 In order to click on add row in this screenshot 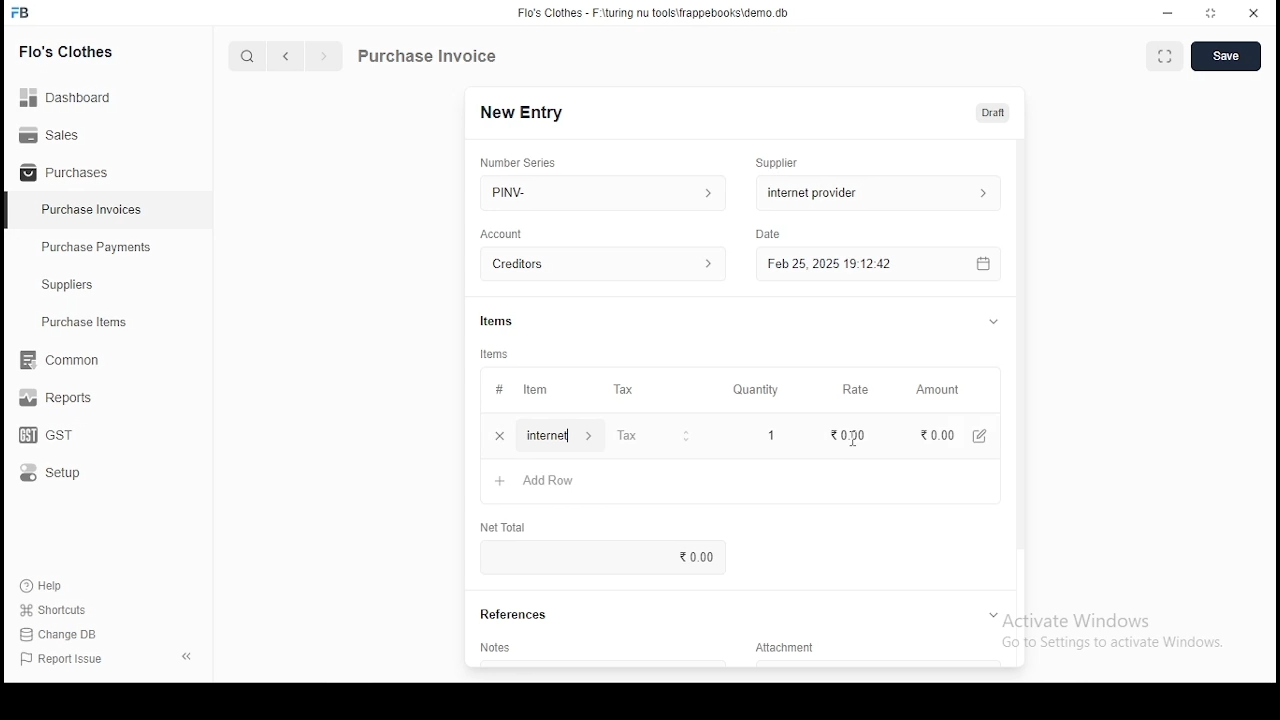, I will do `click(541, 481)`.